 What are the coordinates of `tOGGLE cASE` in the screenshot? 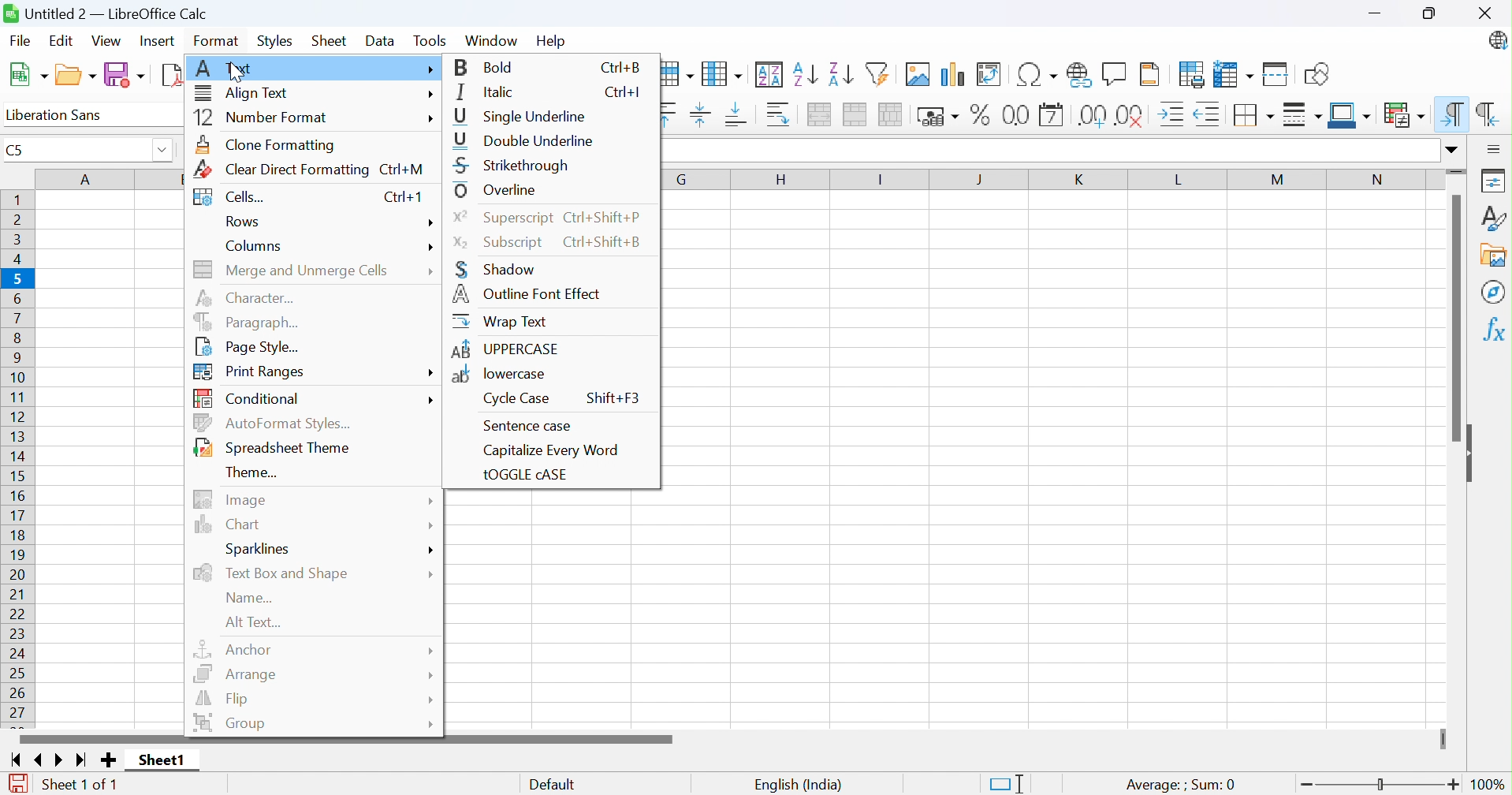 It's located at (529, 475).